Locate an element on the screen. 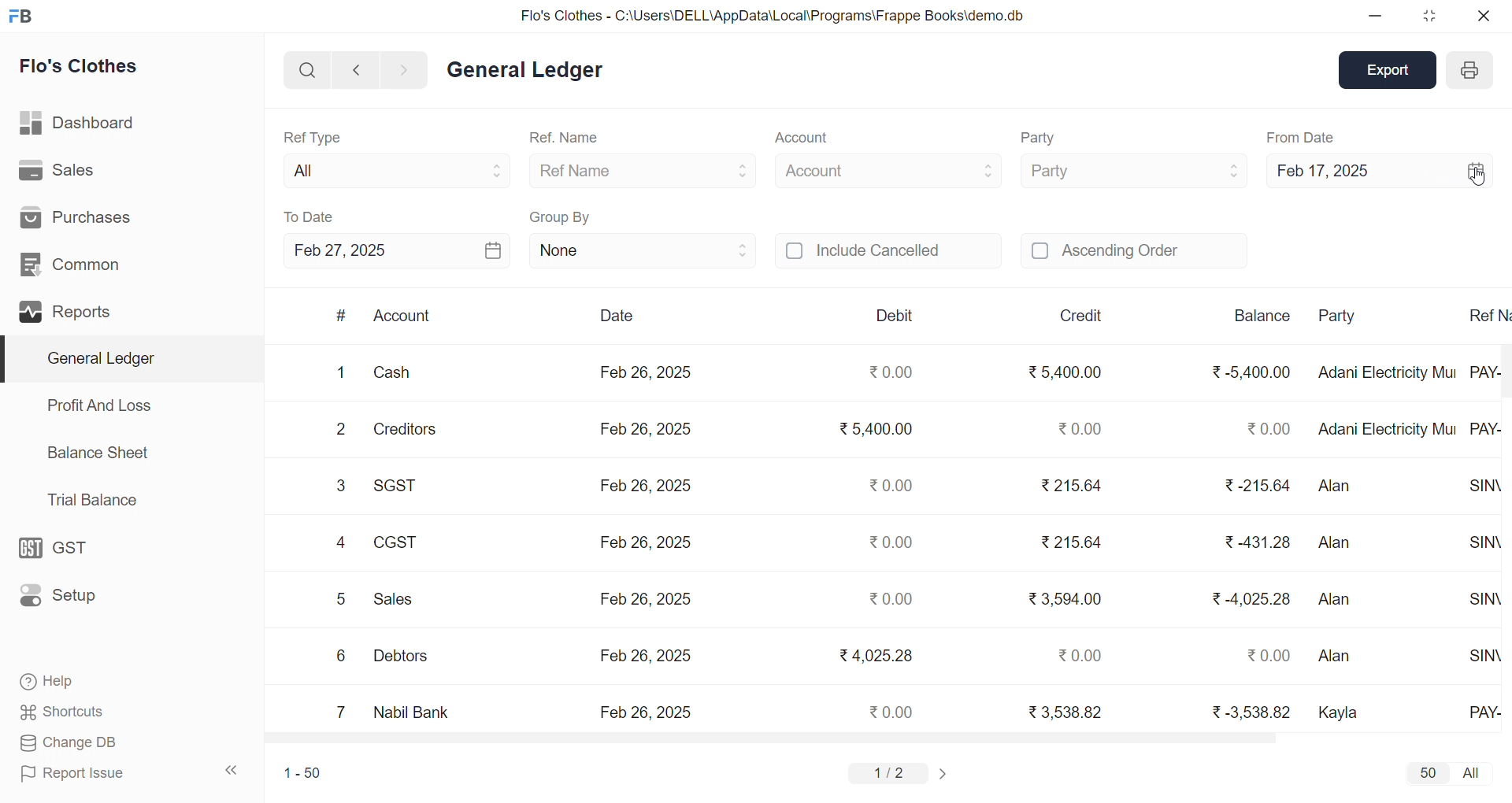  Adani Electricity Mui is located at coordinates (1388, 428).